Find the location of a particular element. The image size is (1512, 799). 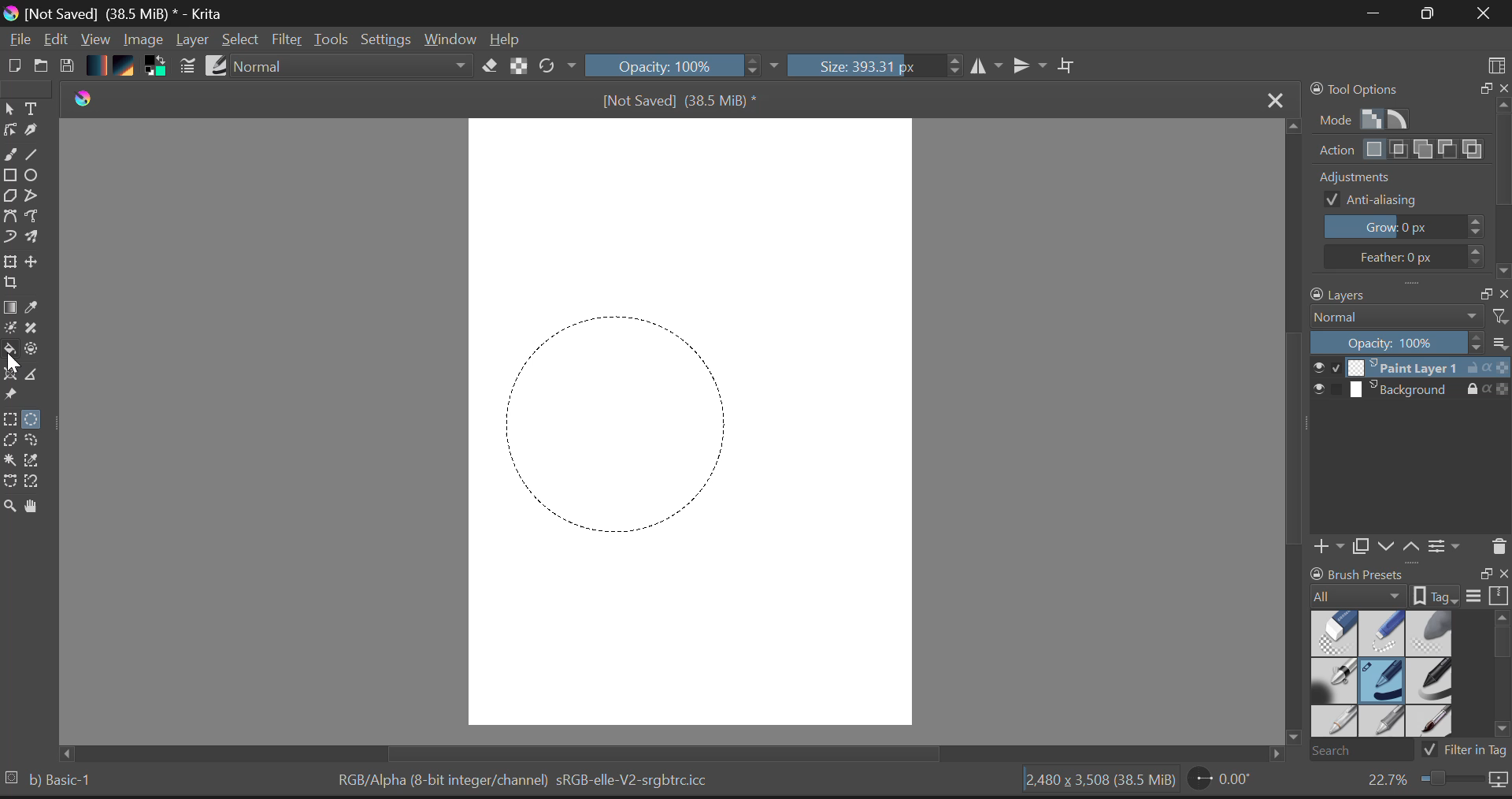

Select is located at coordinates (9, 110).